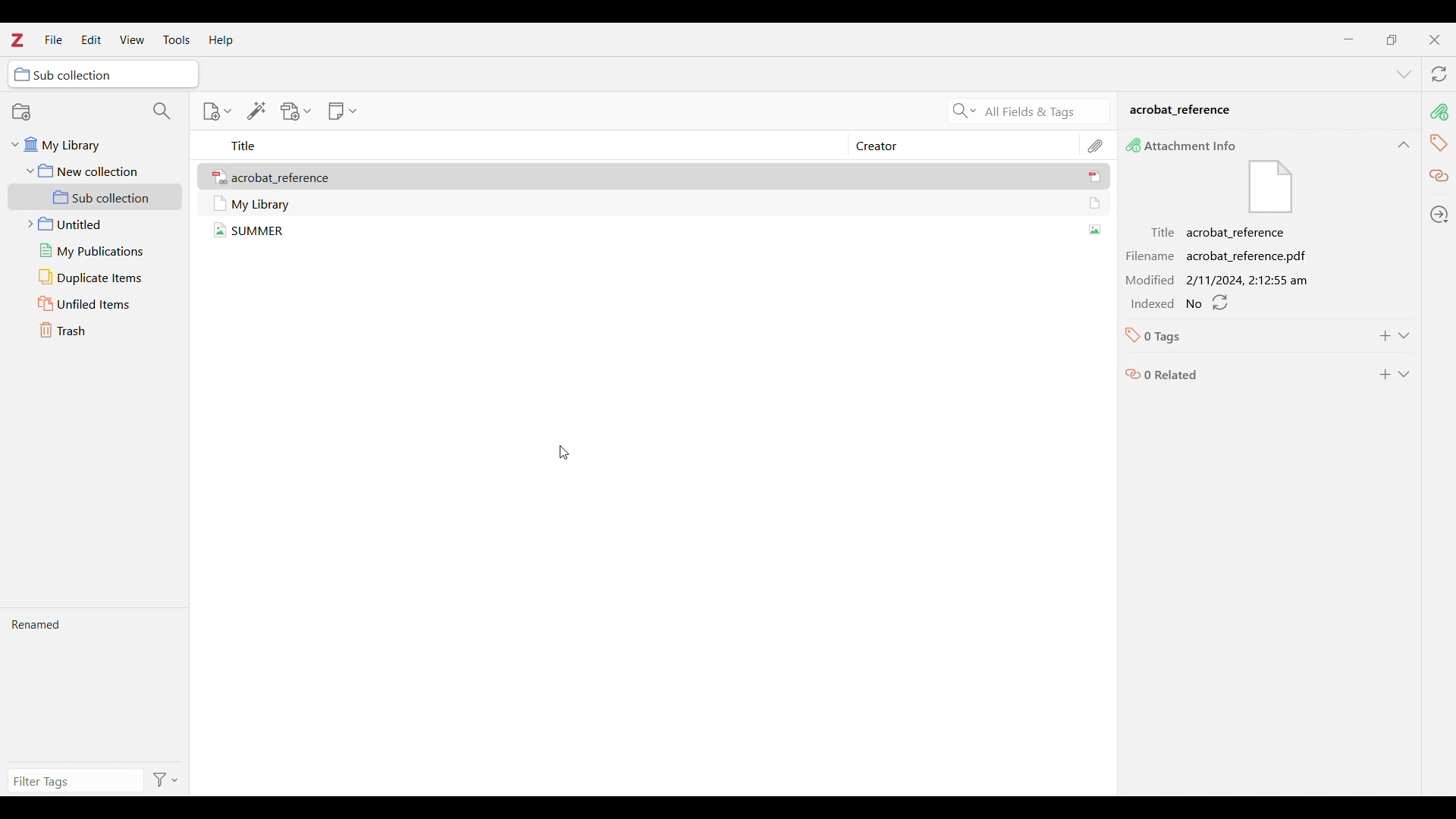  Describe the element at coordinates (342, 111) in the screenshot. I see `New note options` at that location.